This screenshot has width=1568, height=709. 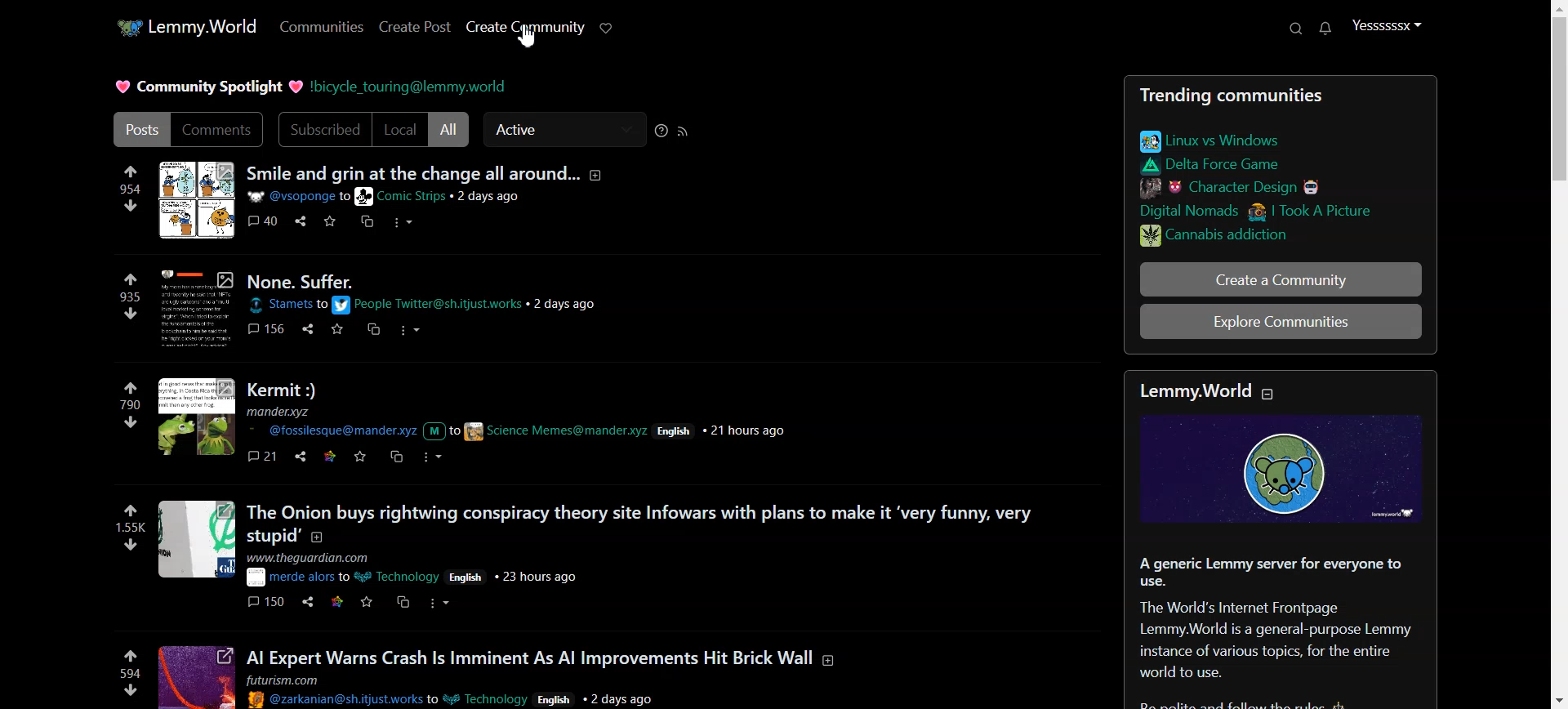 I want to click on share, so click(x=302, y=457).